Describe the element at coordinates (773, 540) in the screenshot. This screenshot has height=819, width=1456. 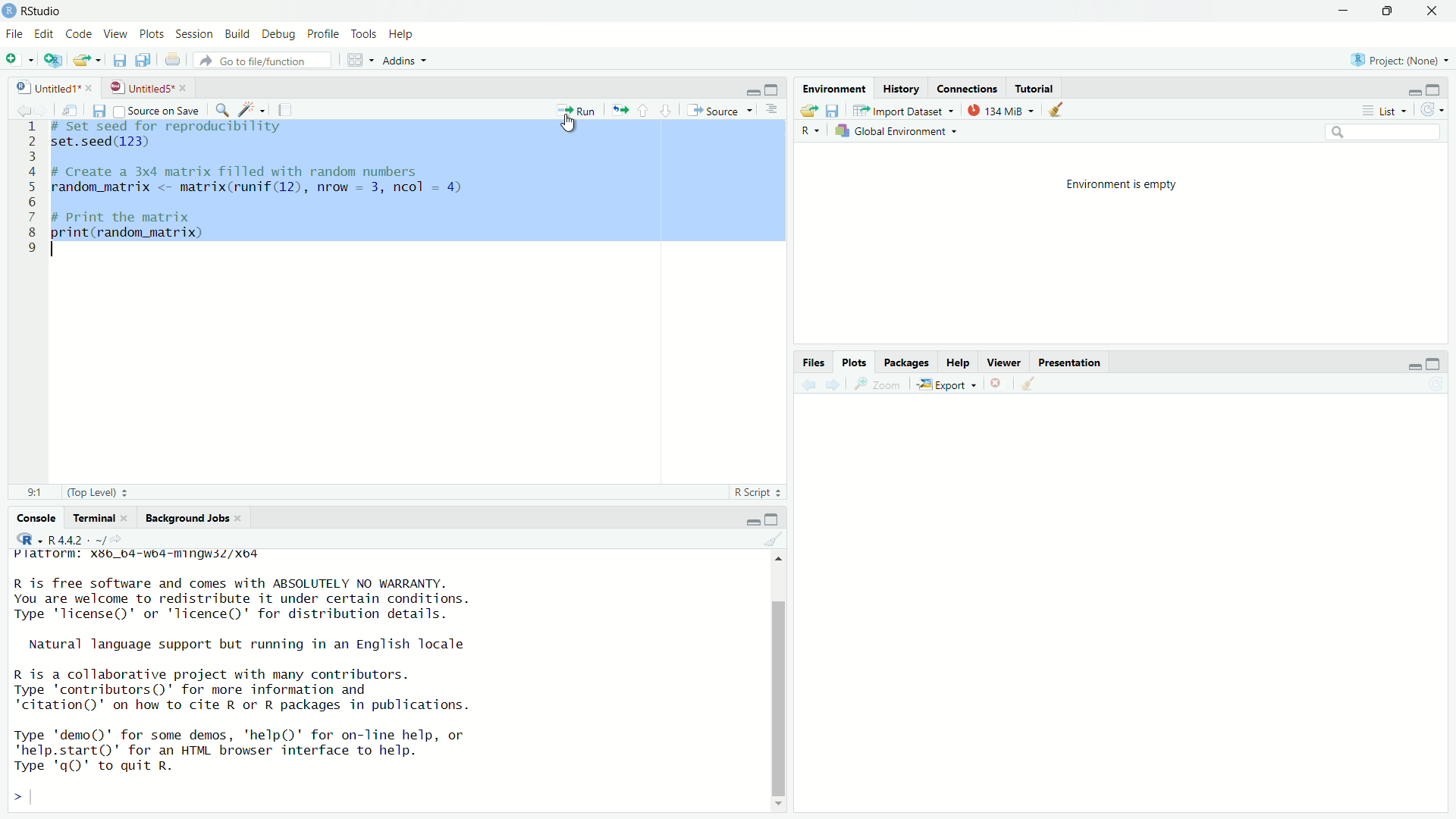
I see `clear` at that location.